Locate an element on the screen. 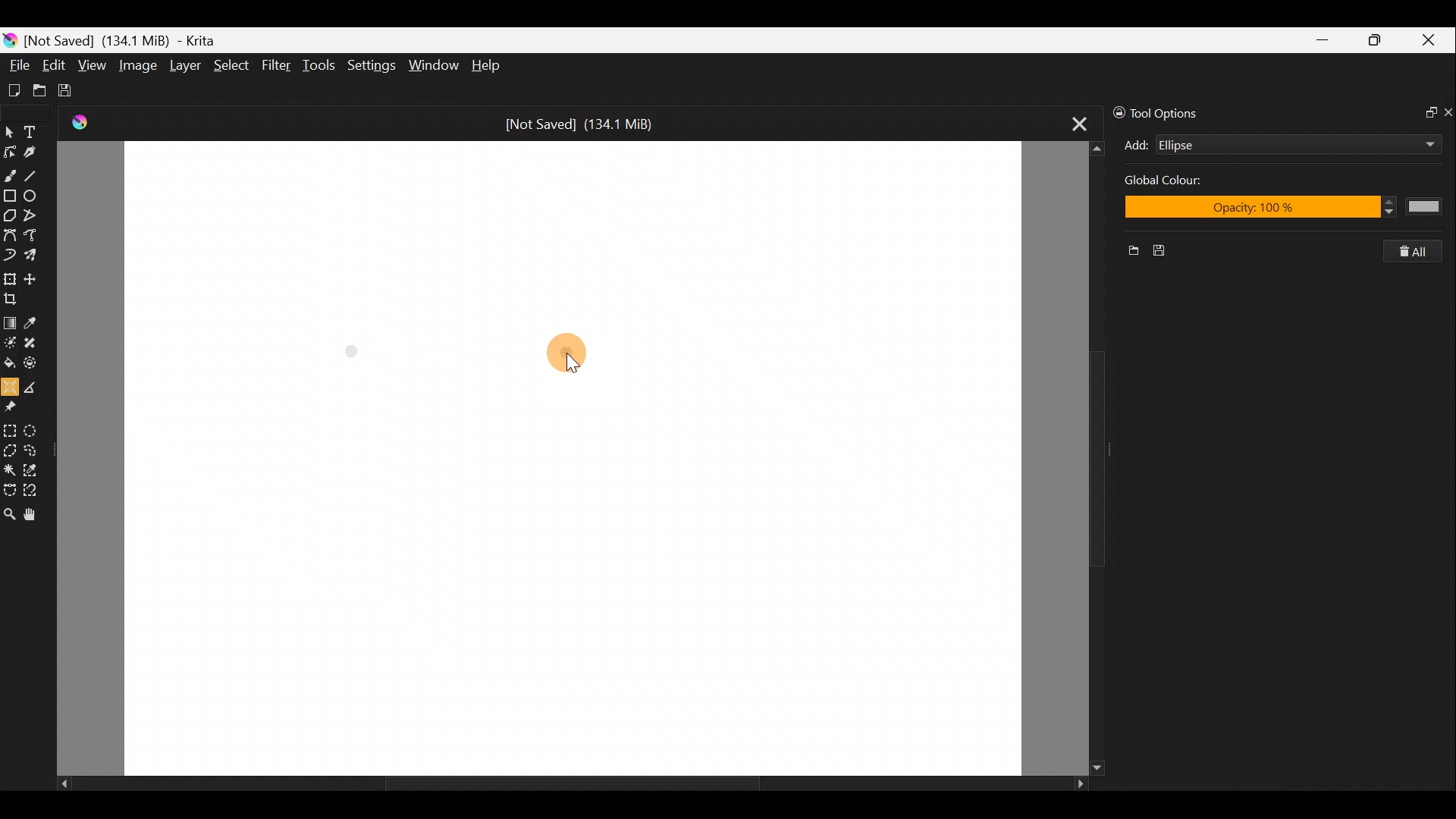  Close tab is located at coordinates (1071, 124).